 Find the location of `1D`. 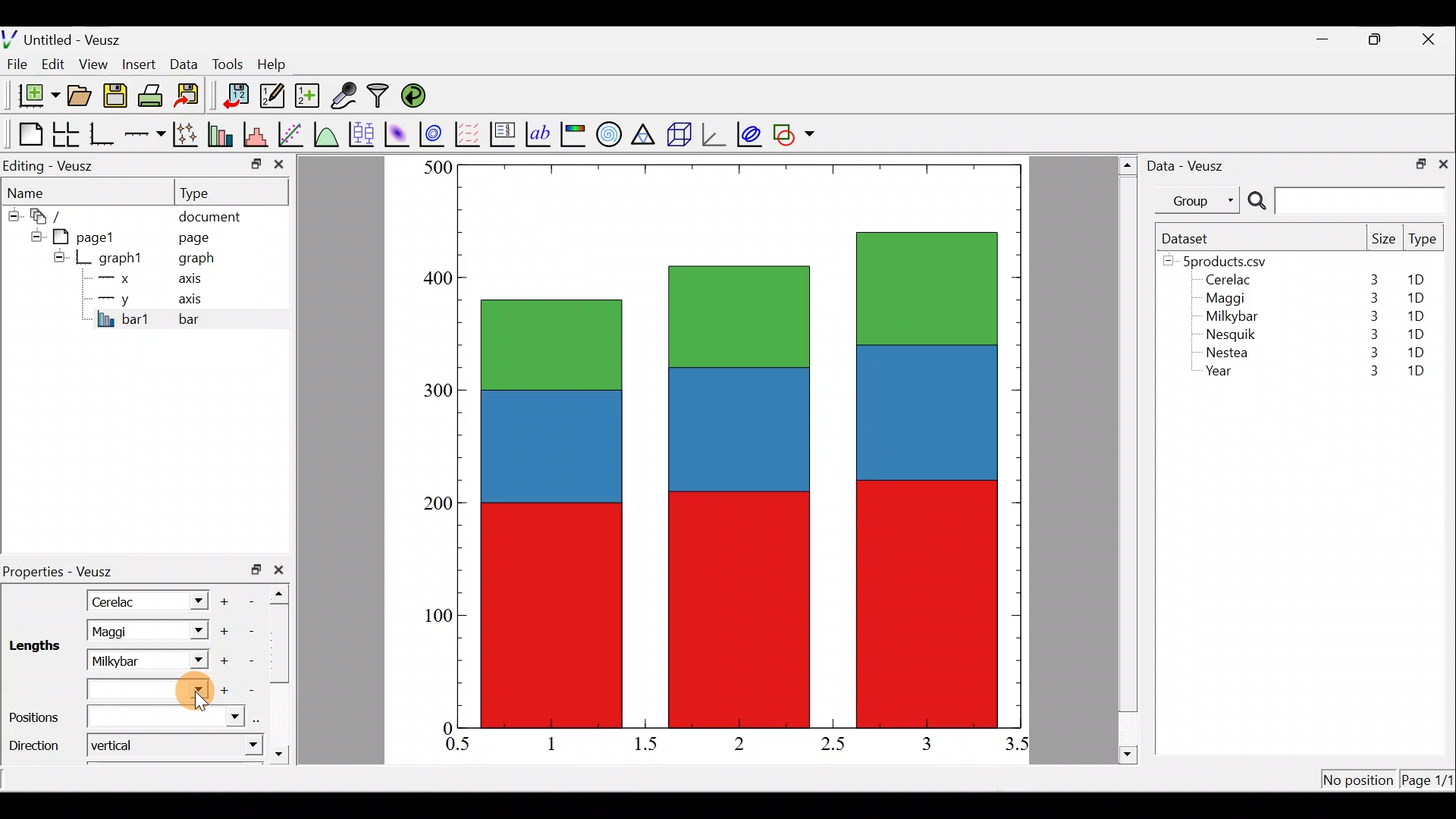

1D is located at coordinates (1416, 372).